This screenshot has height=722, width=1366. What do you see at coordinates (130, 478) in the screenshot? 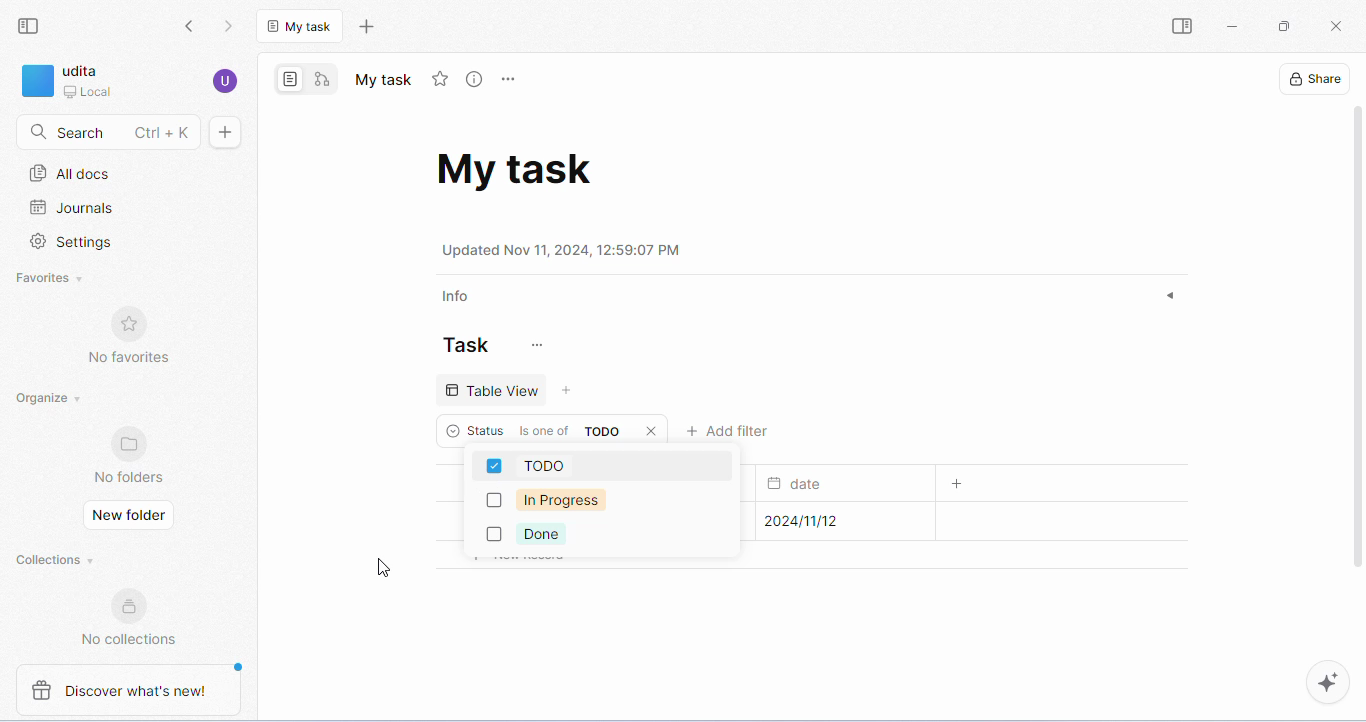
I see `no folders` at bounding box center [130, 478].